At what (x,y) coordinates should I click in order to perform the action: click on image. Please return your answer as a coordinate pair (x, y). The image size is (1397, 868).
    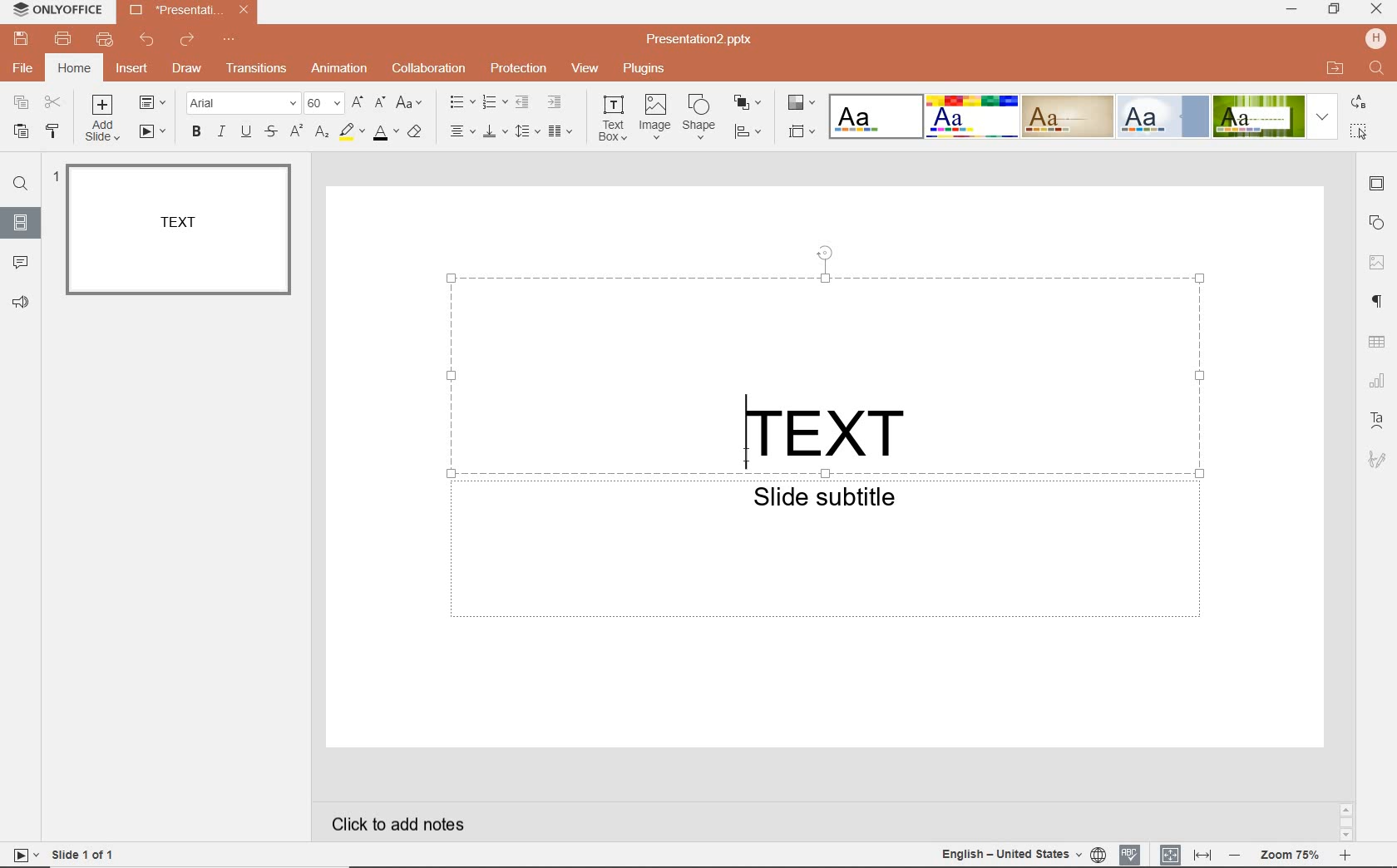
    Looking at the image, I should click on (655, 117).